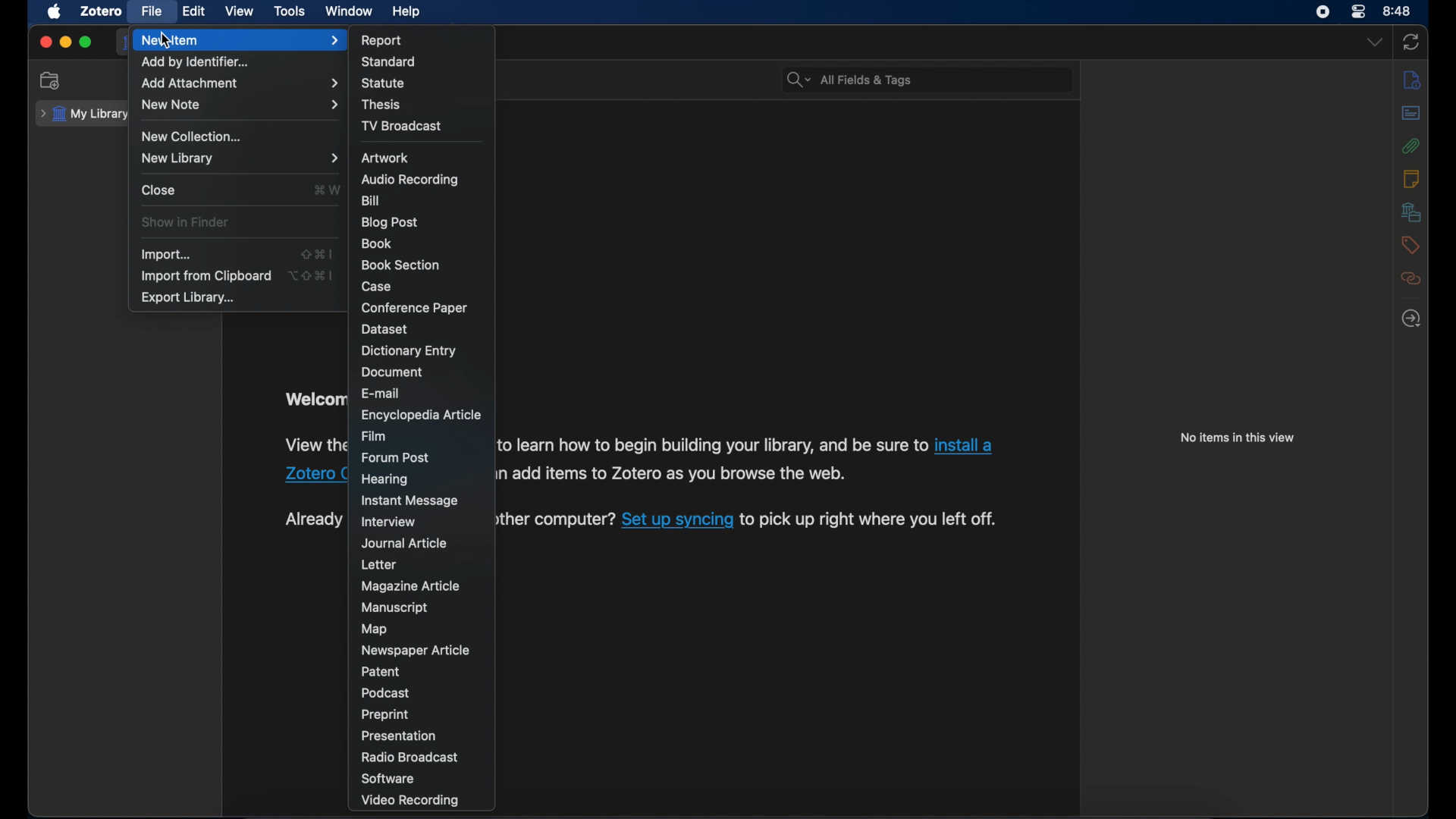 This screenshot has width=1456, height=819. Describe the element at coordinates (413, 586) in the screenshot. I see `magazine article` at that location.